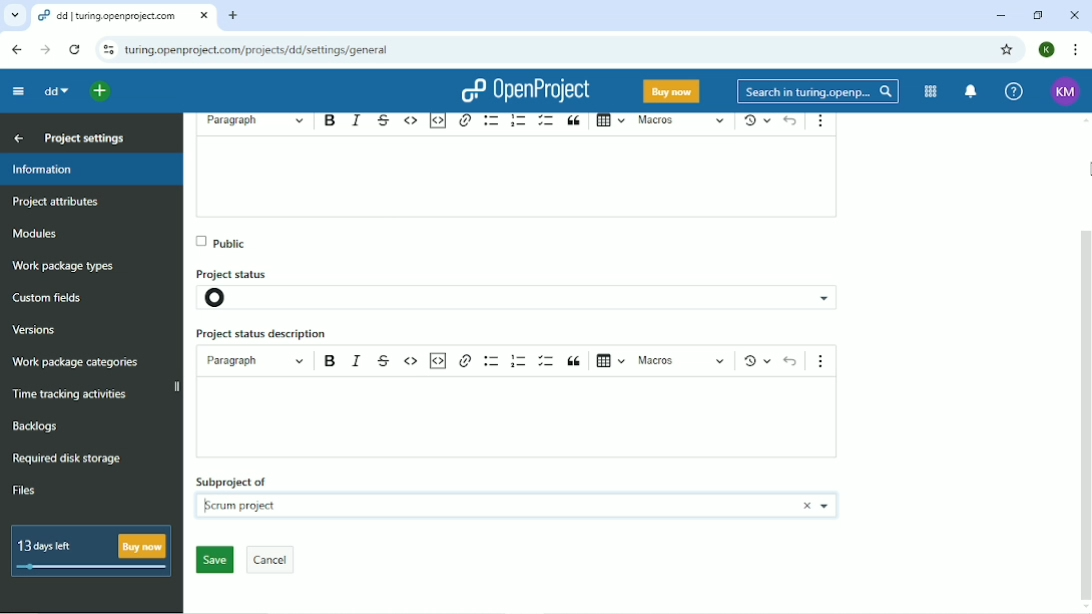 The height and width of the screenshot is (614, 1092). What do you see at coordinates (411, 120) in the screenshot?
I see `Code` at bounding box center [411, 120].